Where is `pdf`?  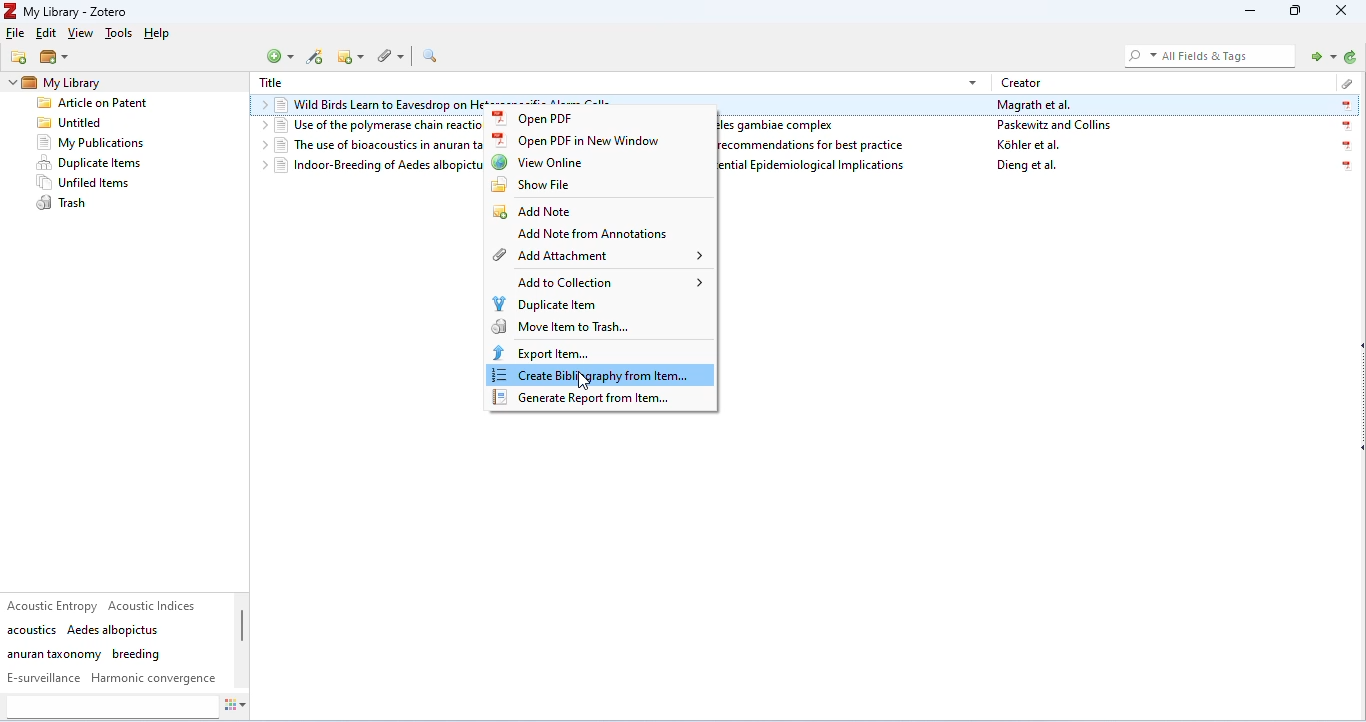
pdf is located at coordinates (1348, 147).